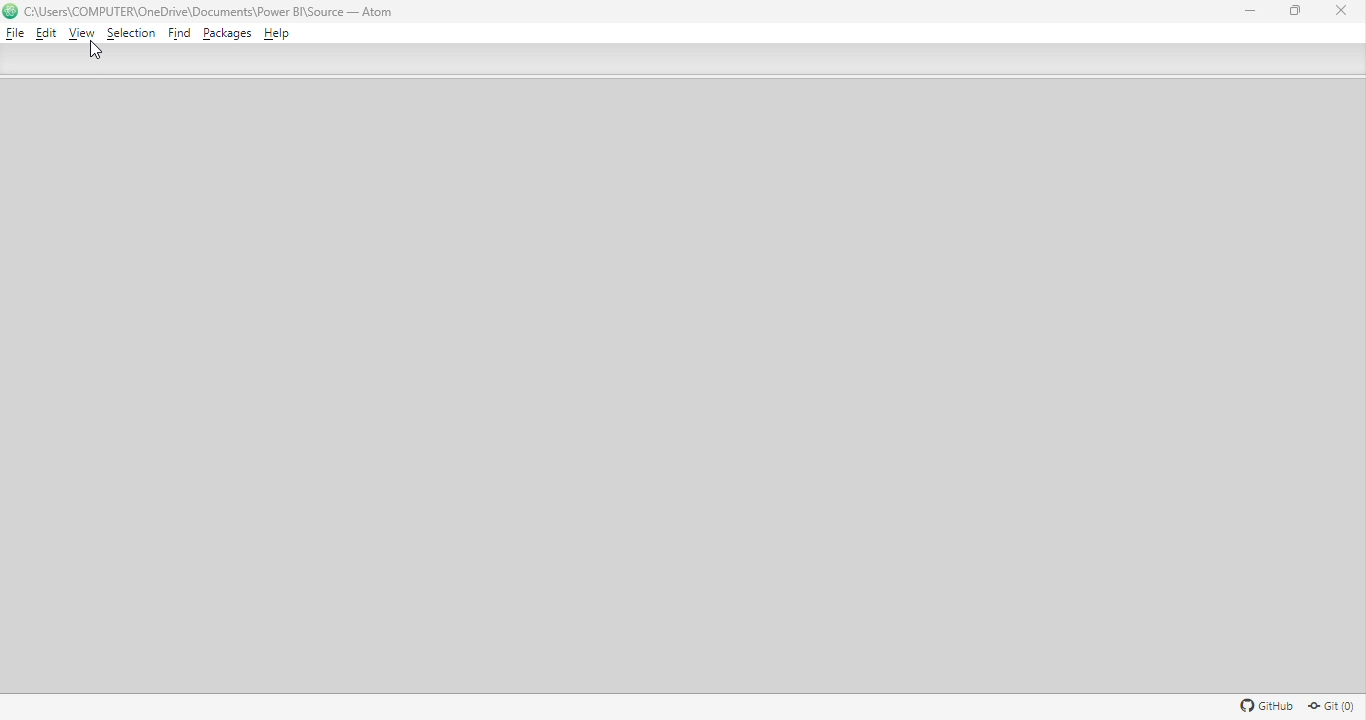  What do you see at coordinates (1343, 15) in the screenshot?
I see `Close` at bounding box center [1343, 15].